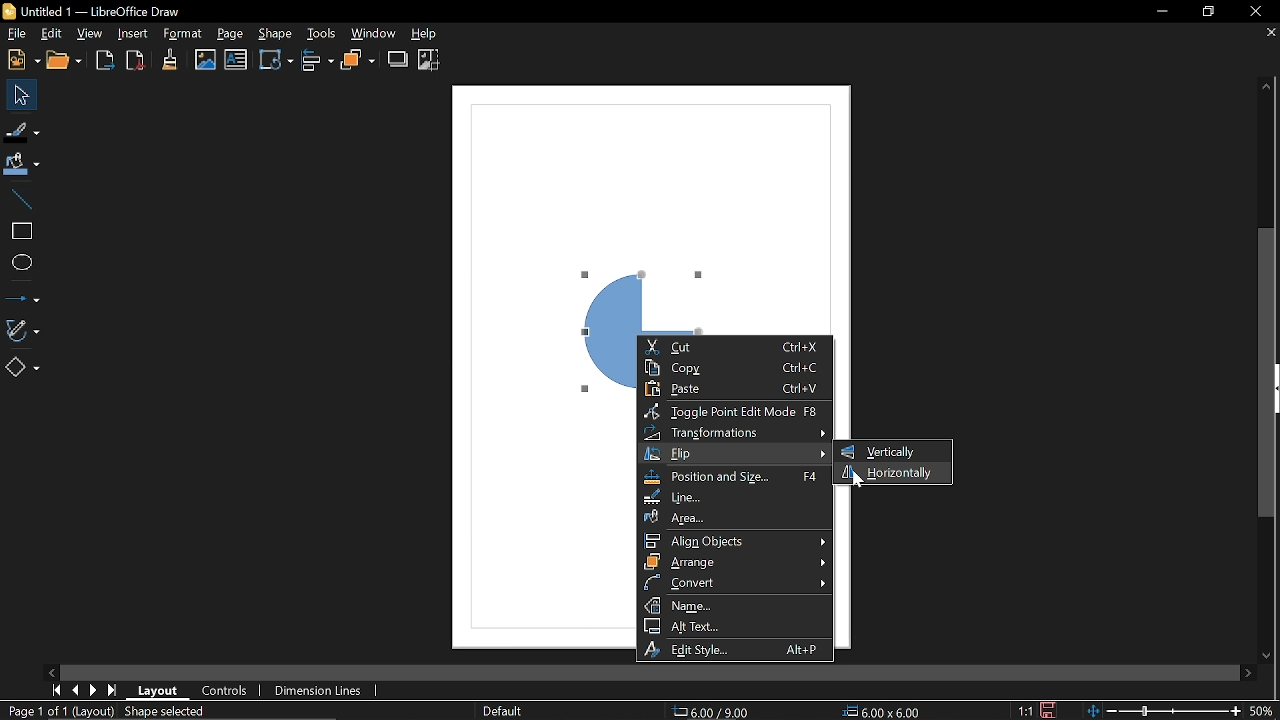 This screenshot has height=720, width=1280. What do you see at coordinates (889, 473) in the screenshot?
I see `Horizontally` at bounding box center [889, 473].